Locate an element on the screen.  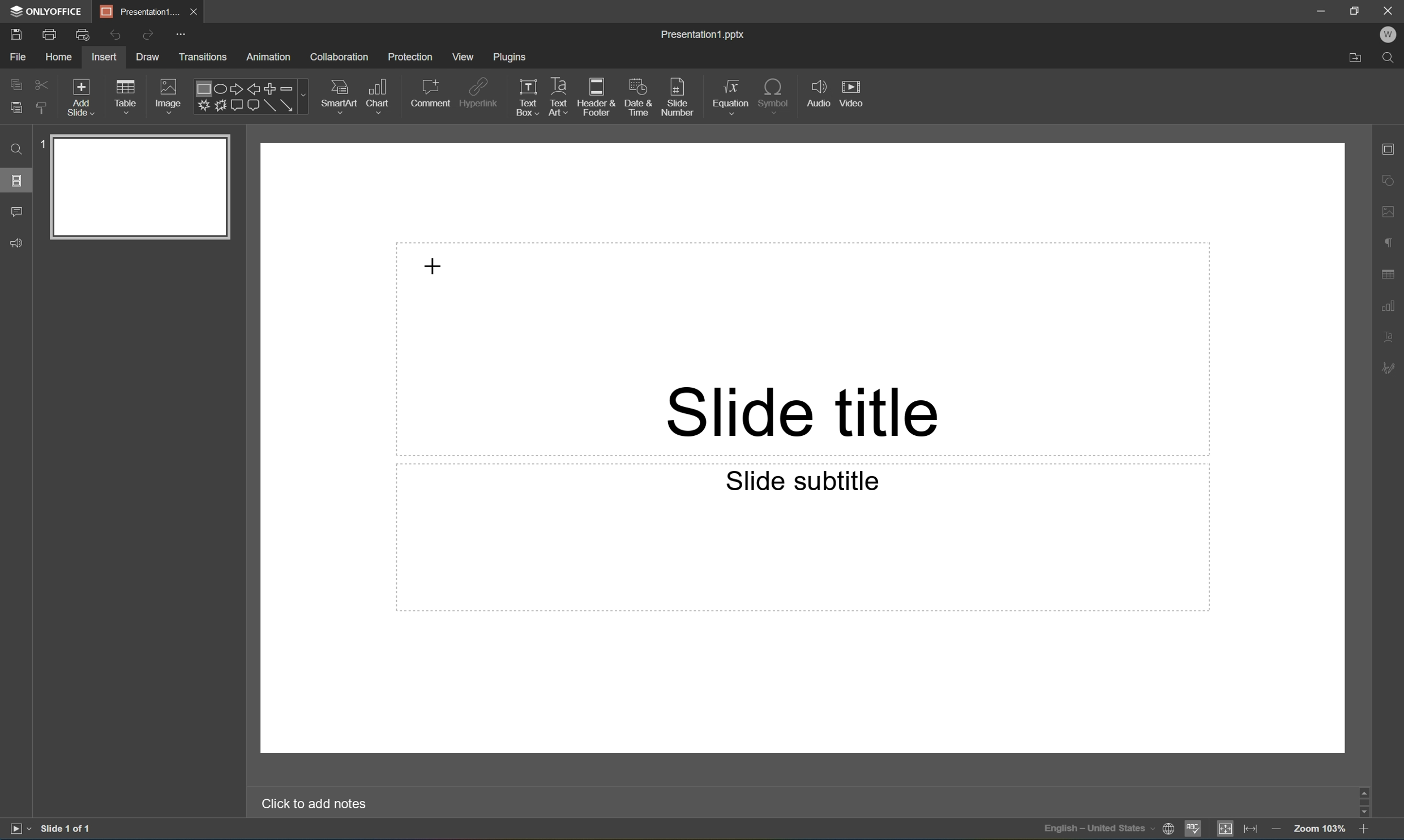
Image is located at coordinates (169, 95).